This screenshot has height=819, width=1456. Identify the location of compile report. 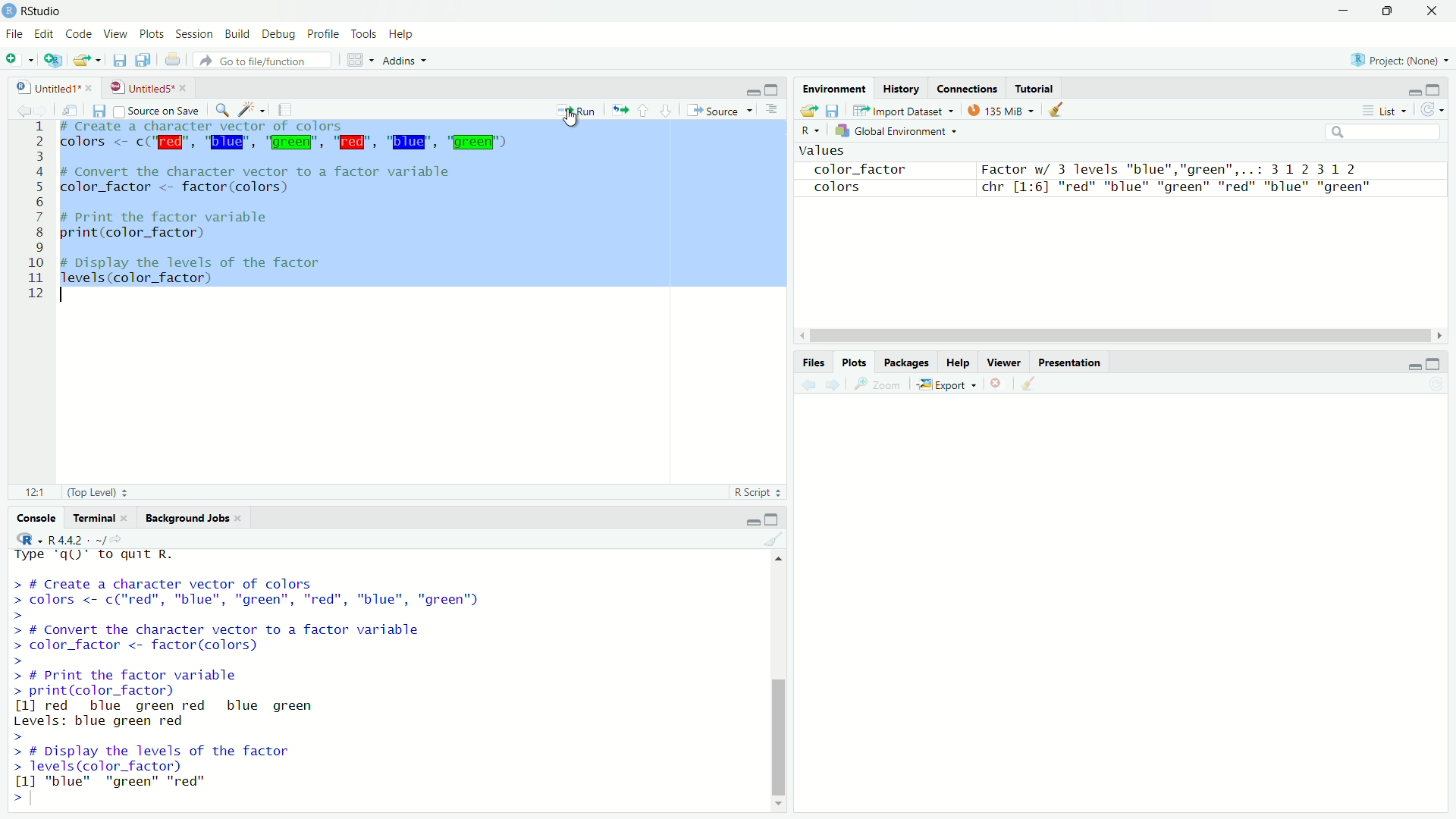
(289, 110).